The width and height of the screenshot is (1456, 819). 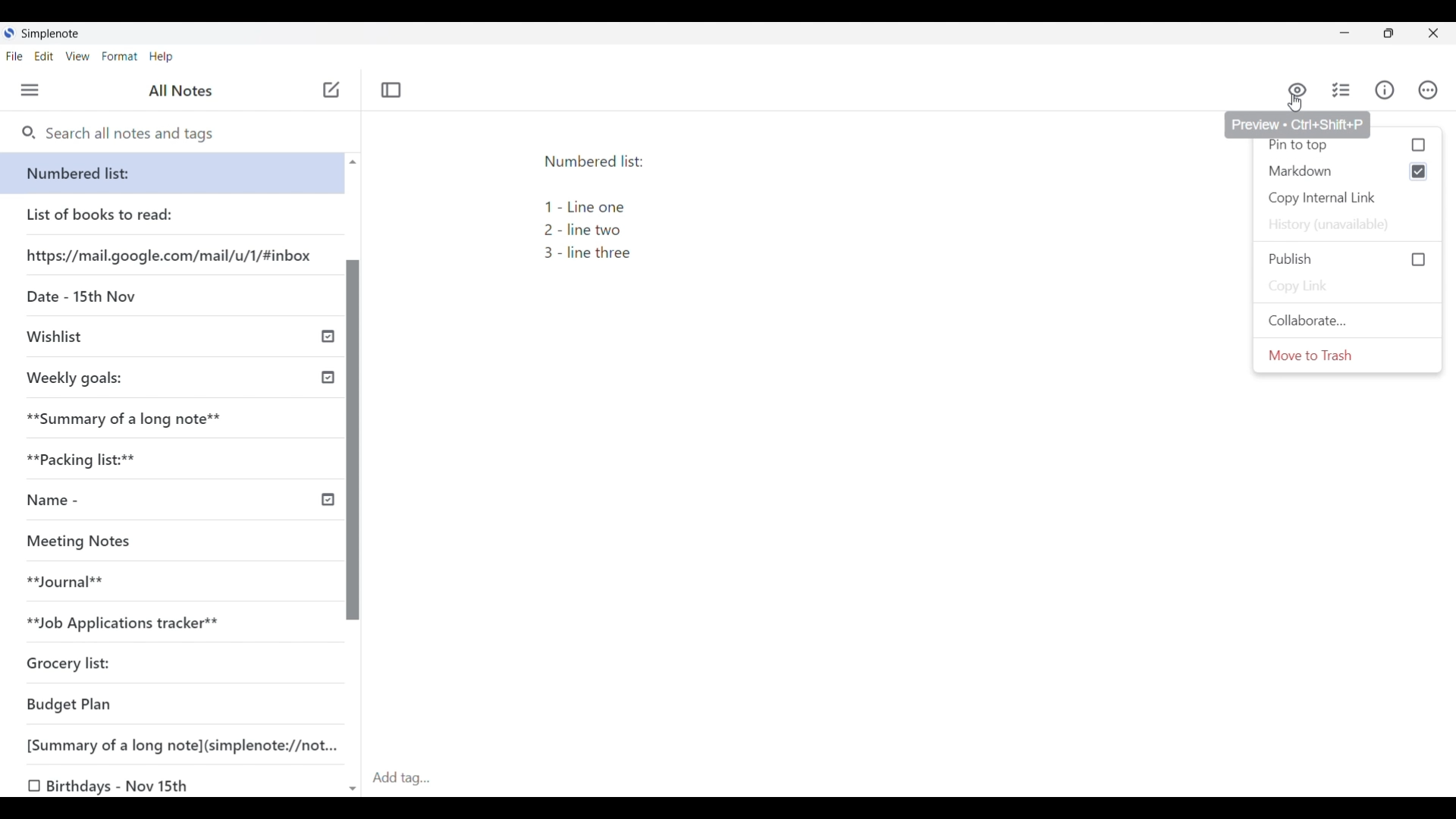 I want to click on Help menu, so click(x=161, y=58).